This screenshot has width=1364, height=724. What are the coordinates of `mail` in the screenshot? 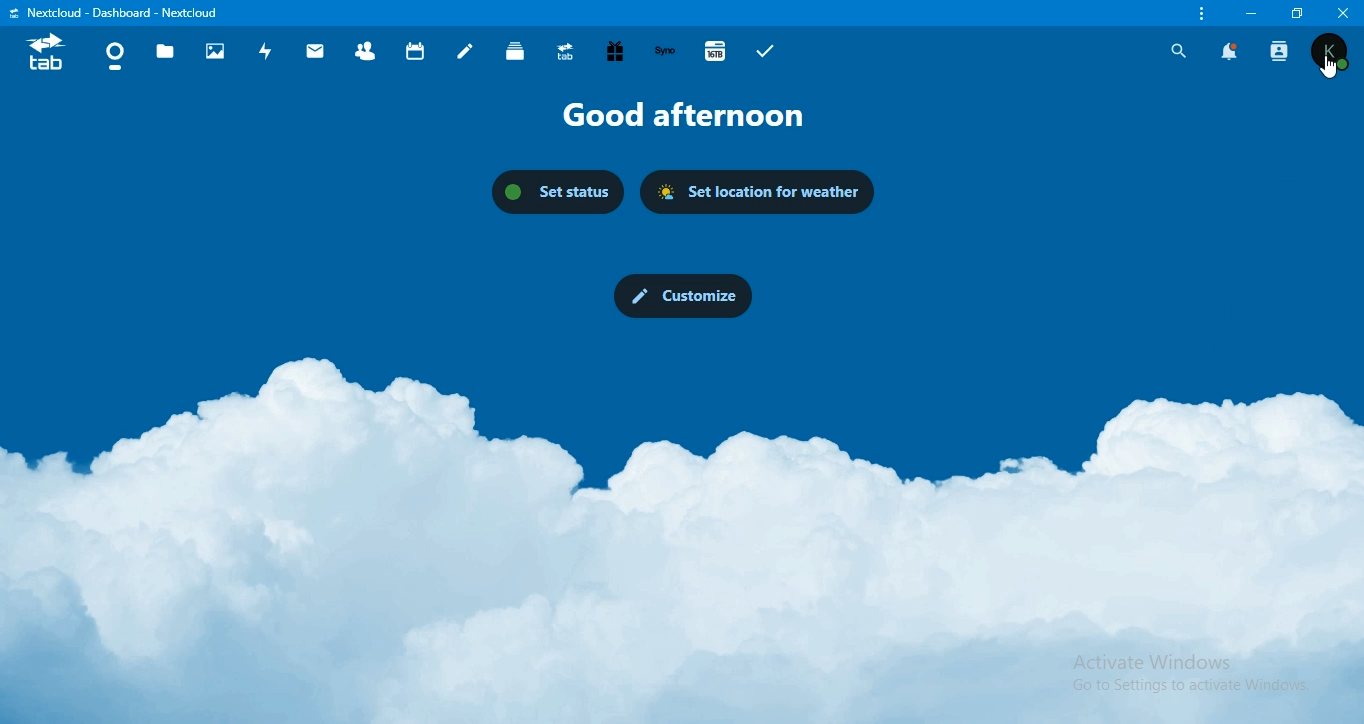 It's located at (315, 54).